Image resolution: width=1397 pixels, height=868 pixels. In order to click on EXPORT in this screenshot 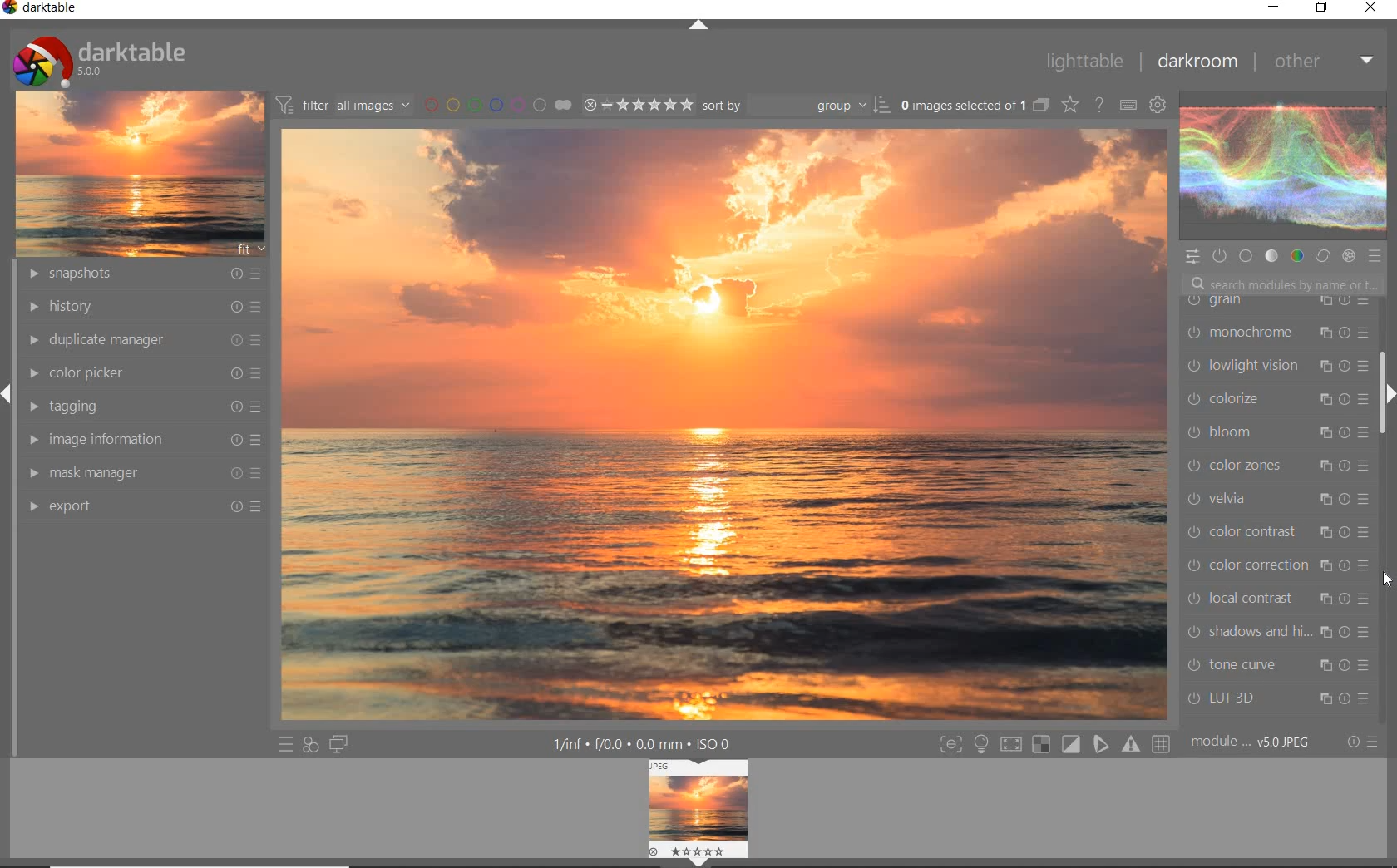, I will do `click(146, 505)`.